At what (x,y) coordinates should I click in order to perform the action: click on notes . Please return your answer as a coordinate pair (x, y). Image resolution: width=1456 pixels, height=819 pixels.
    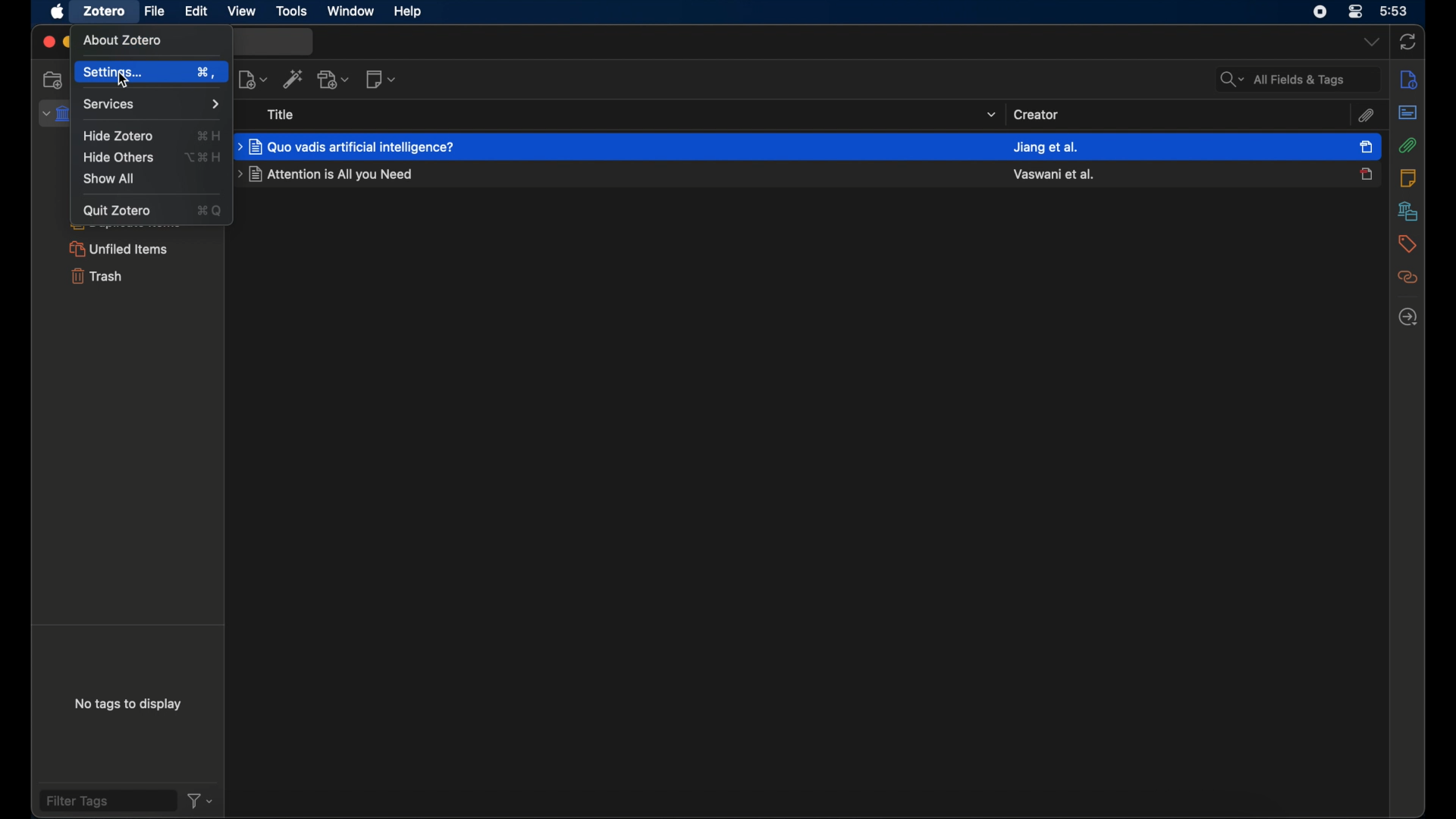
    Looking at the image, I should click on (1407, 177).